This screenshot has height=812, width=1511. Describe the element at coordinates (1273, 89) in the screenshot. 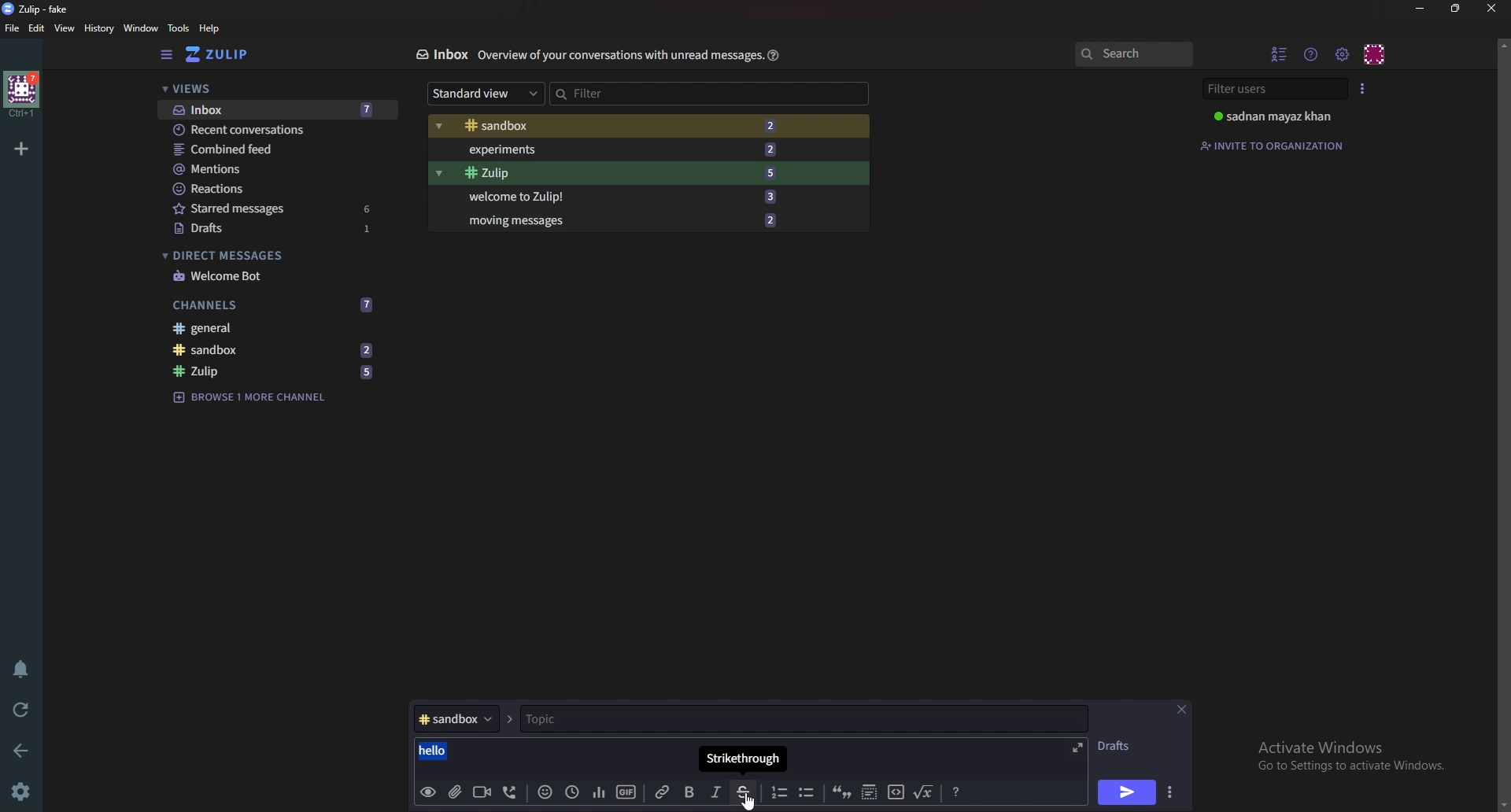

I see `Filter users` at that location.